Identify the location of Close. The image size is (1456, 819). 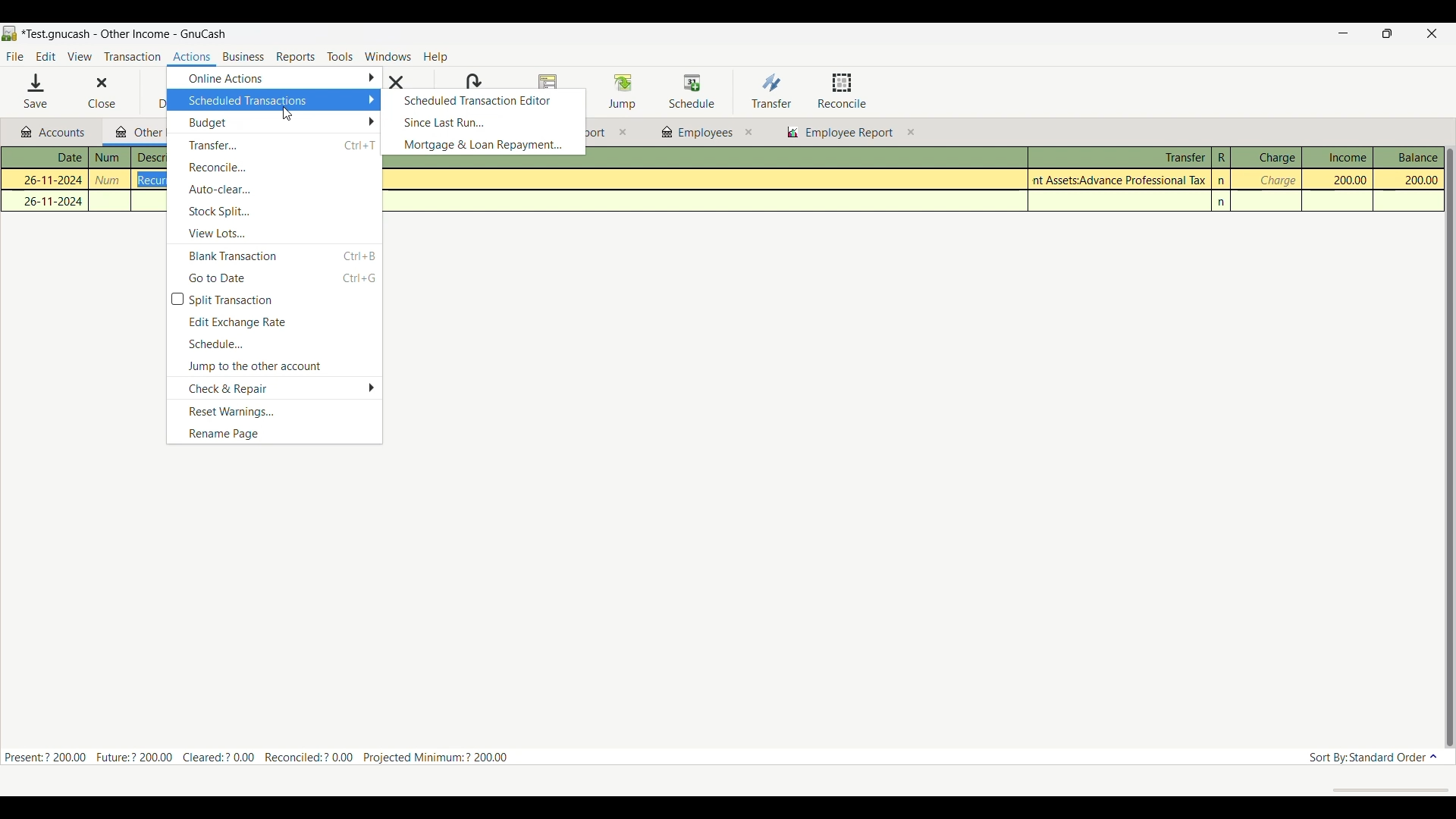
(91, 93).